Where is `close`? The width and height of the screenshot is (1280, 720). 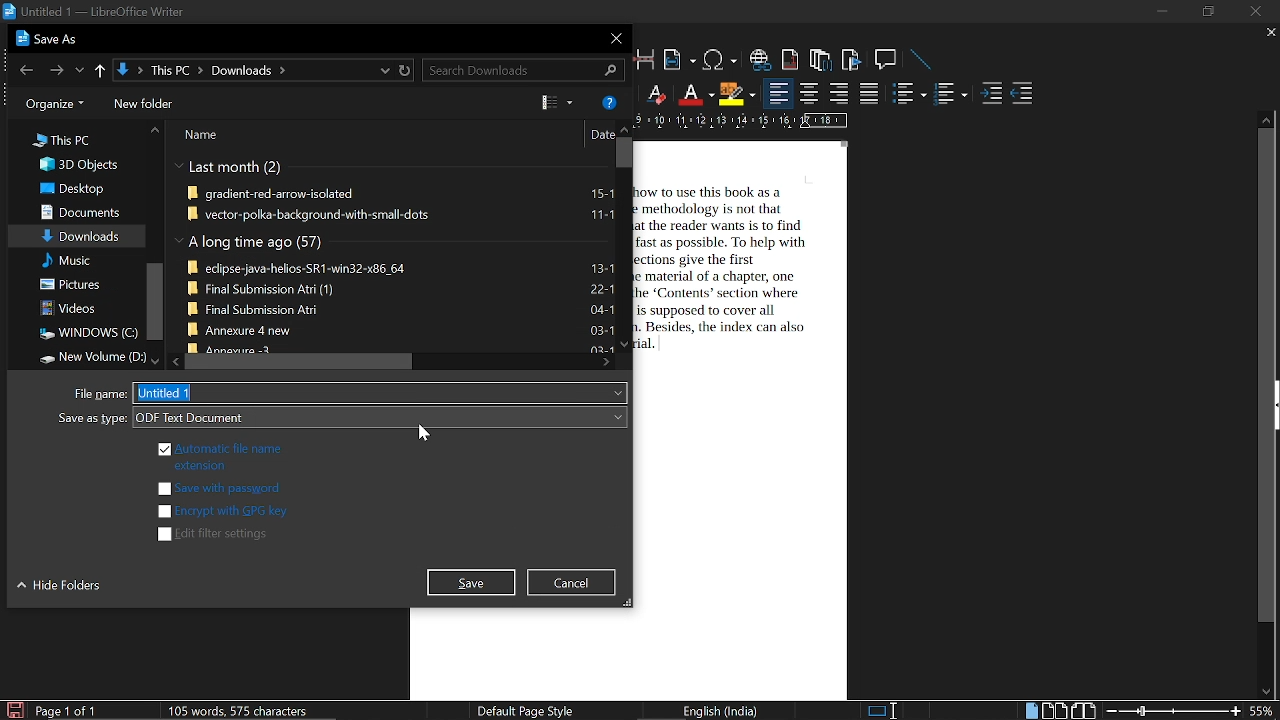 close is located at coordinates (1257, 11).